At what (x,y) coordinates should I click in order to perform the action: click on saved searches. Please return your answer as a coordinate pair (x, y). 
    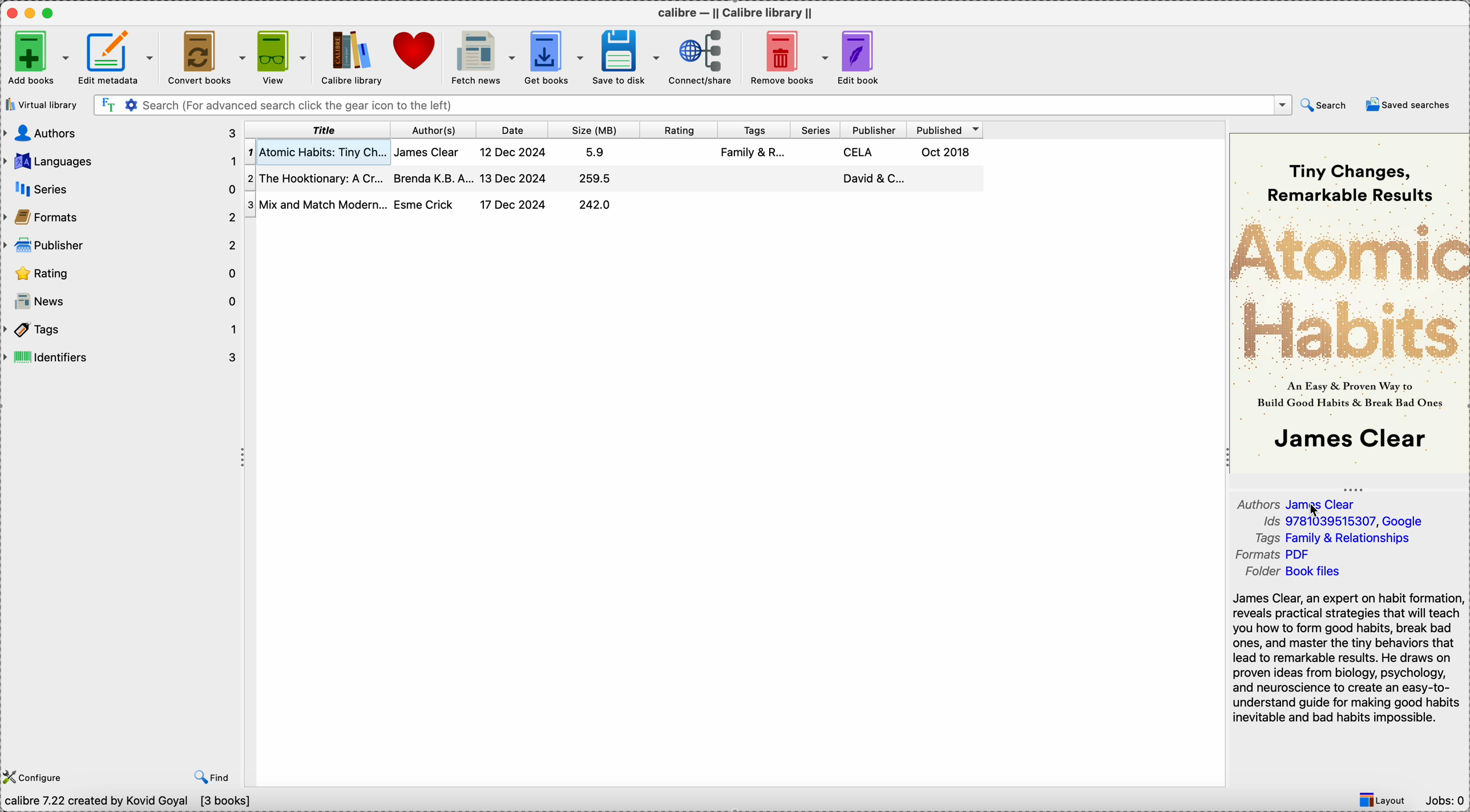
    Looking at the image, I should click on (1410, 105).